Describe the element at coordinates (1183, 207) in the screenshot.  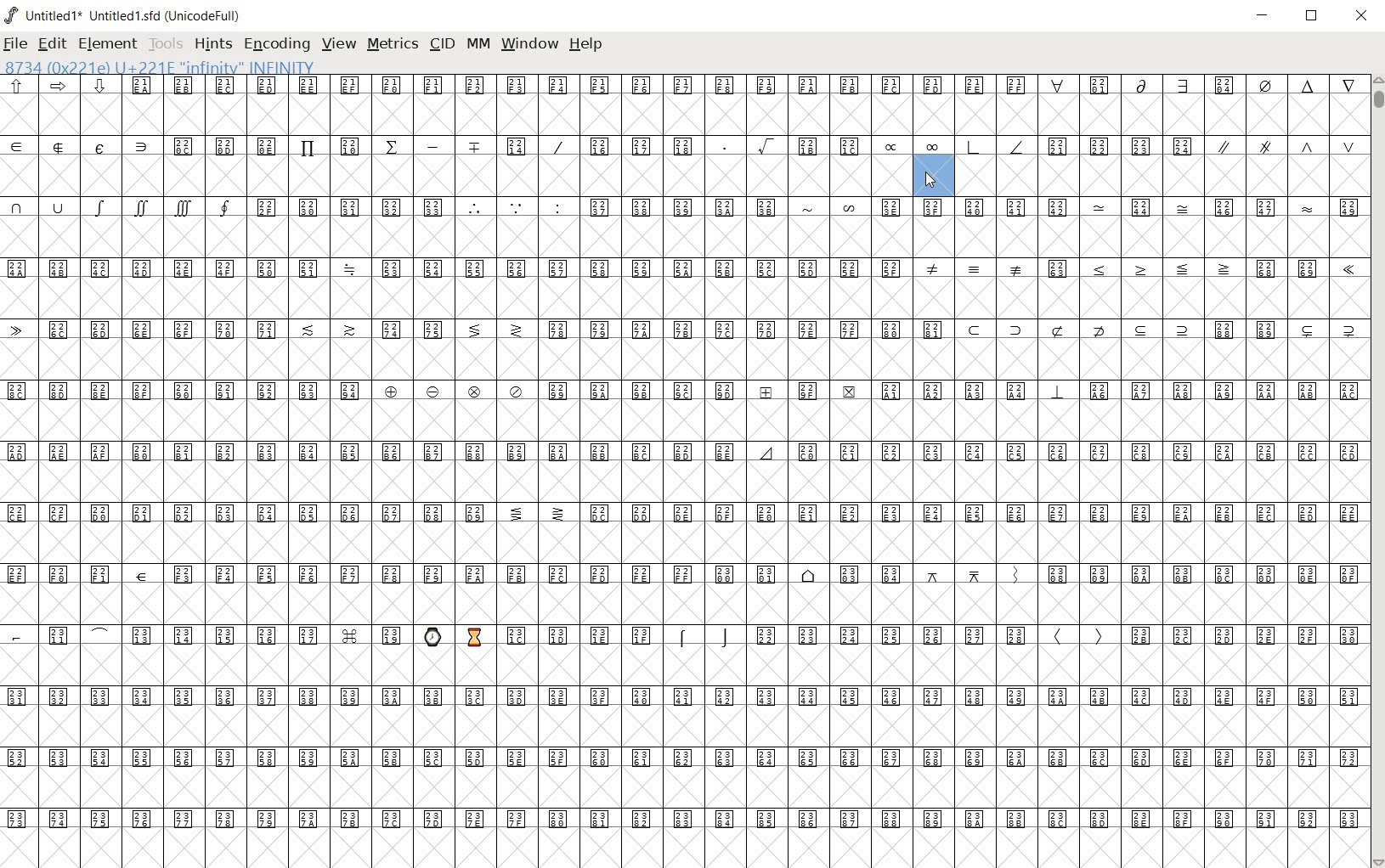
I see `symbol` at that location.